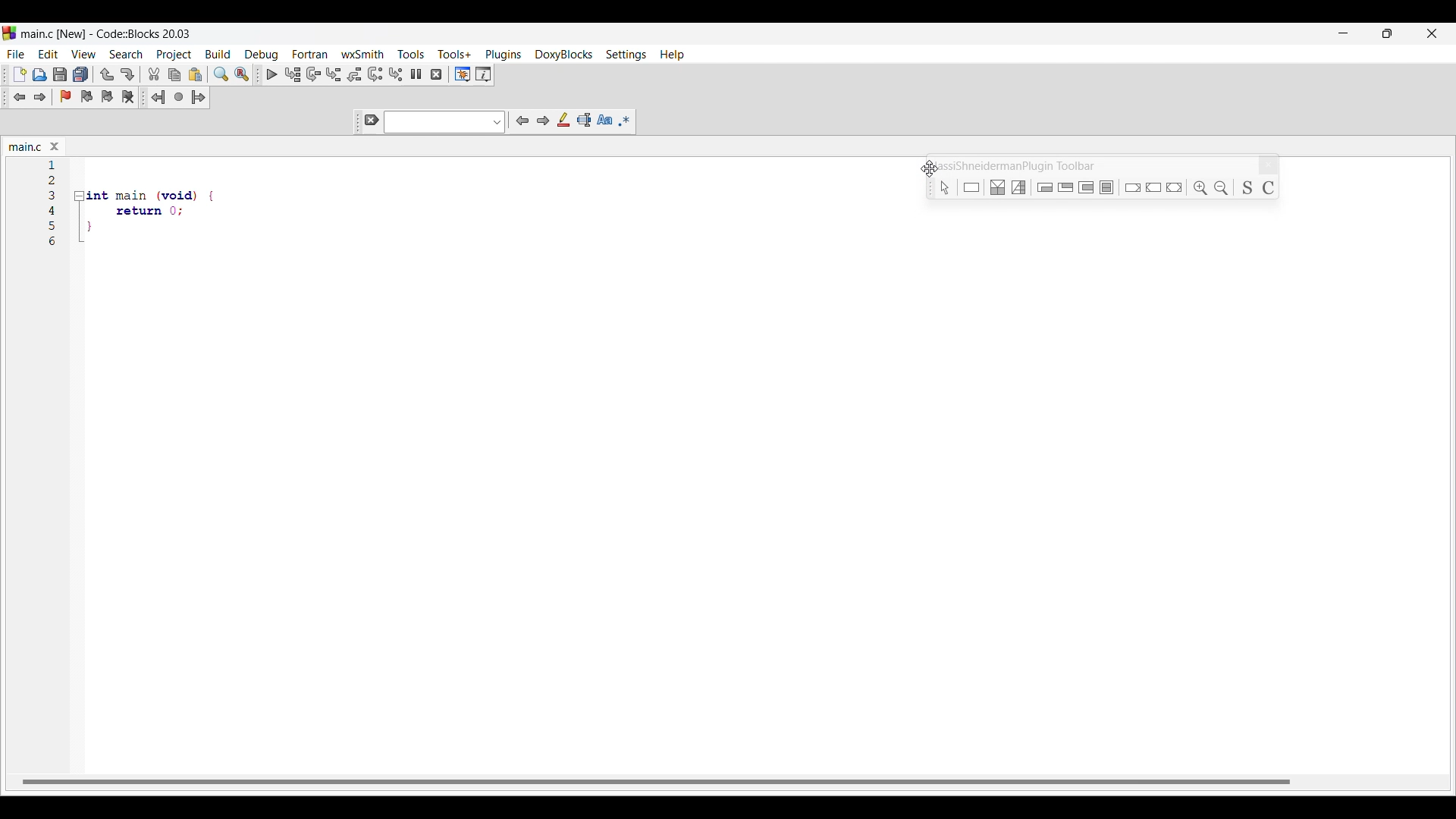 Image resolution: width=1456 pixels, height=819 pixels. Describe the element at coordinates (49, 54) in the screenshot. I see `Edit menu` at that location.